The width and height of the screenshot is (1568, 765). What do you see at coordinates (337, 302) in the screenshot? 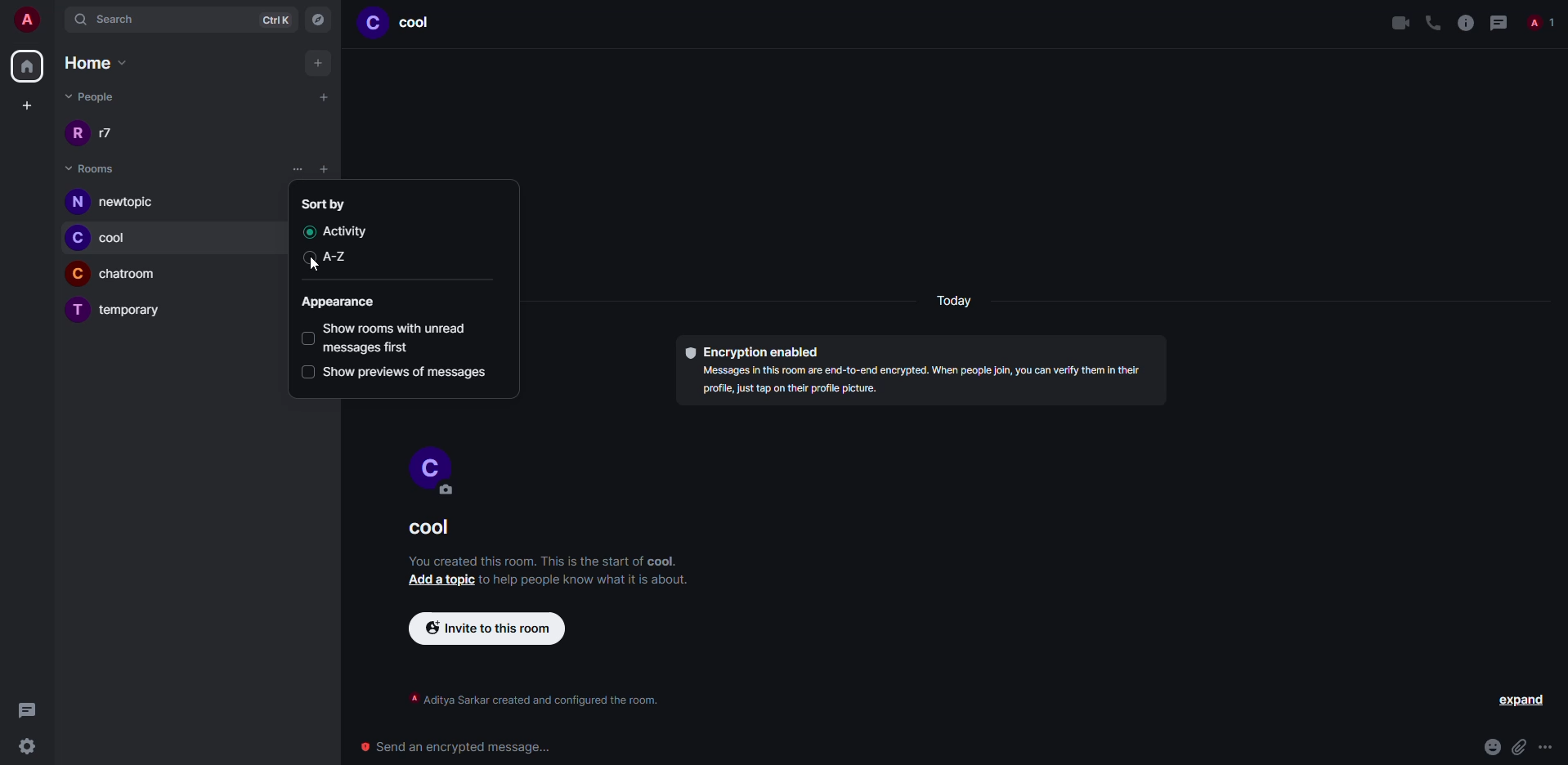
I see `appearance` at bounding box center [337, 302].